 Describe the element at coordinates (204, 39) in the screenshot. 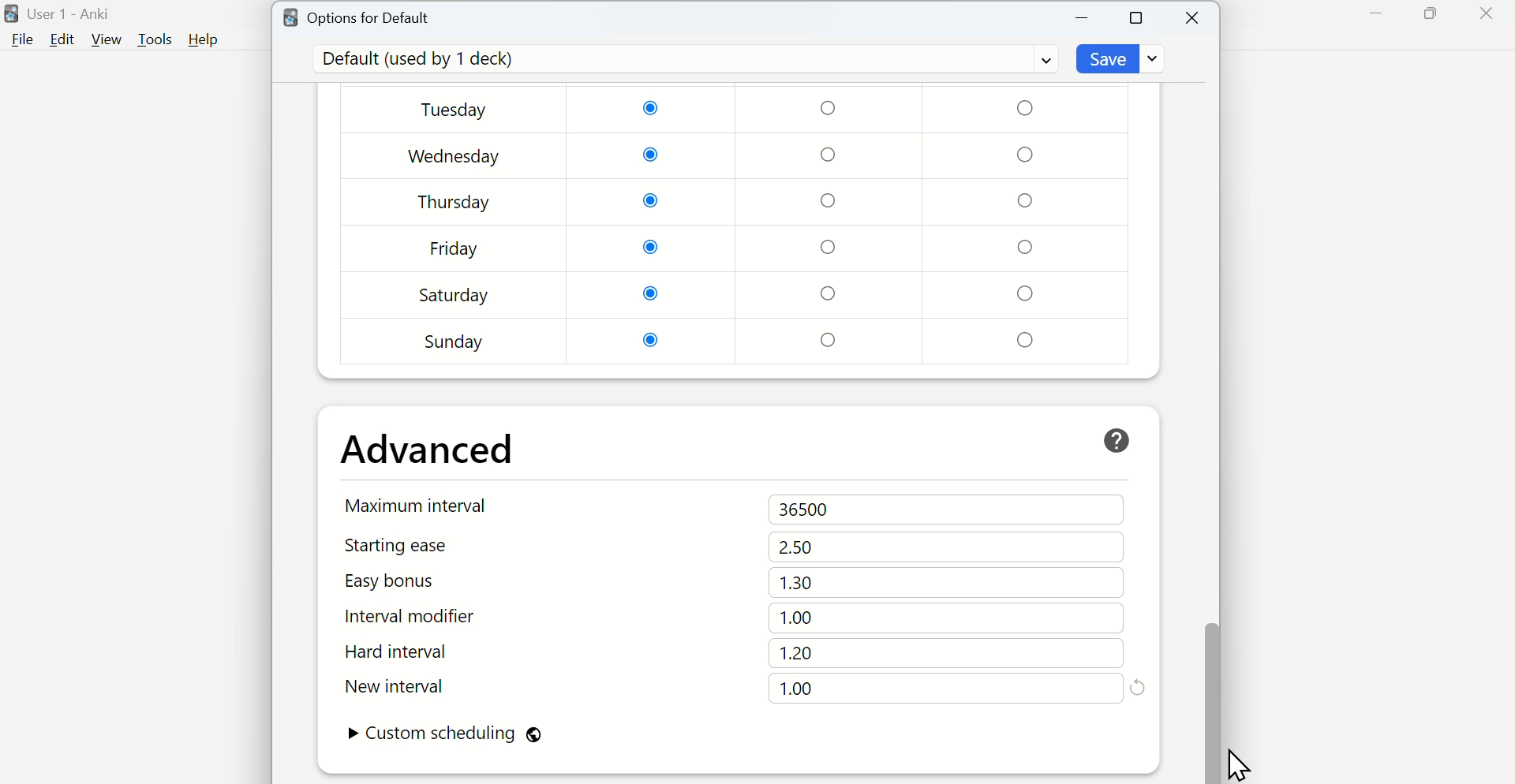

I see `Help` at that location.